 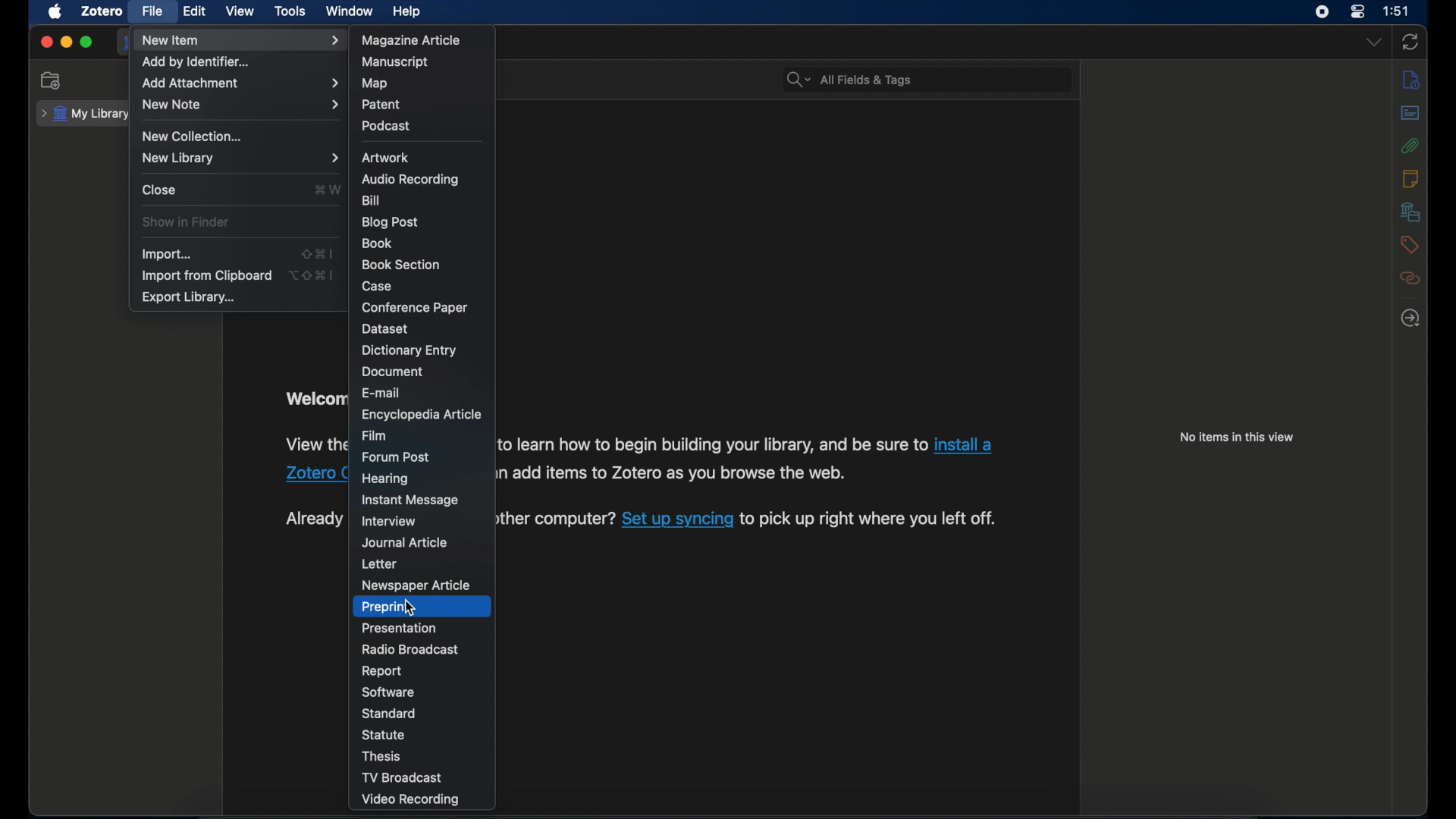 What do you see at coordinates (403, 778) in the screenshot?
I see `tv broadcast` at bounding box center [403, 778].